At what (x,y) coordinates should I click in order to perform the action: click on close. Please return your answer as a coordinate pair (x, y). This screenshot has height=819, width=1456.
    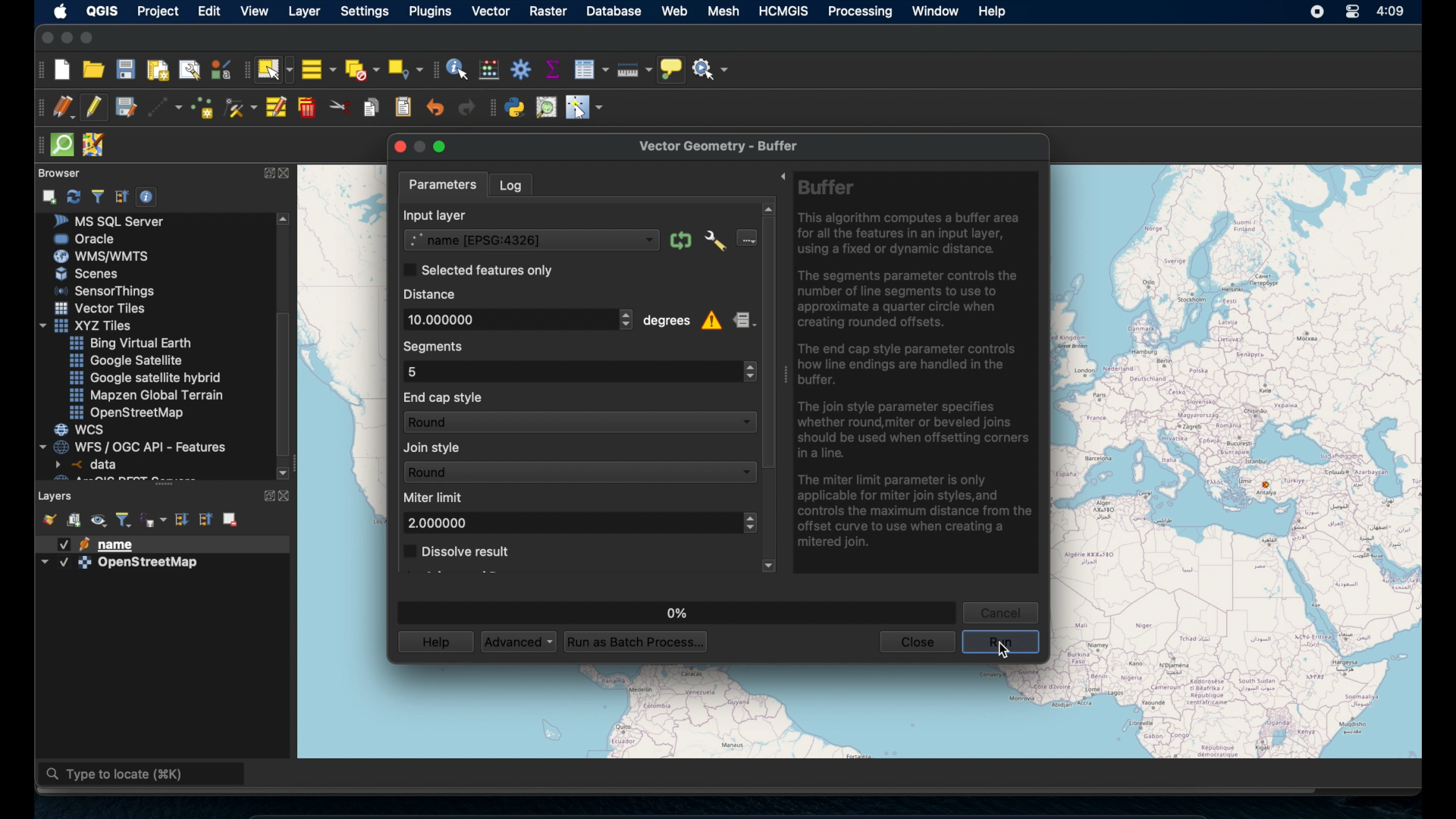
    Looking at the image, I should click on (45, 38).